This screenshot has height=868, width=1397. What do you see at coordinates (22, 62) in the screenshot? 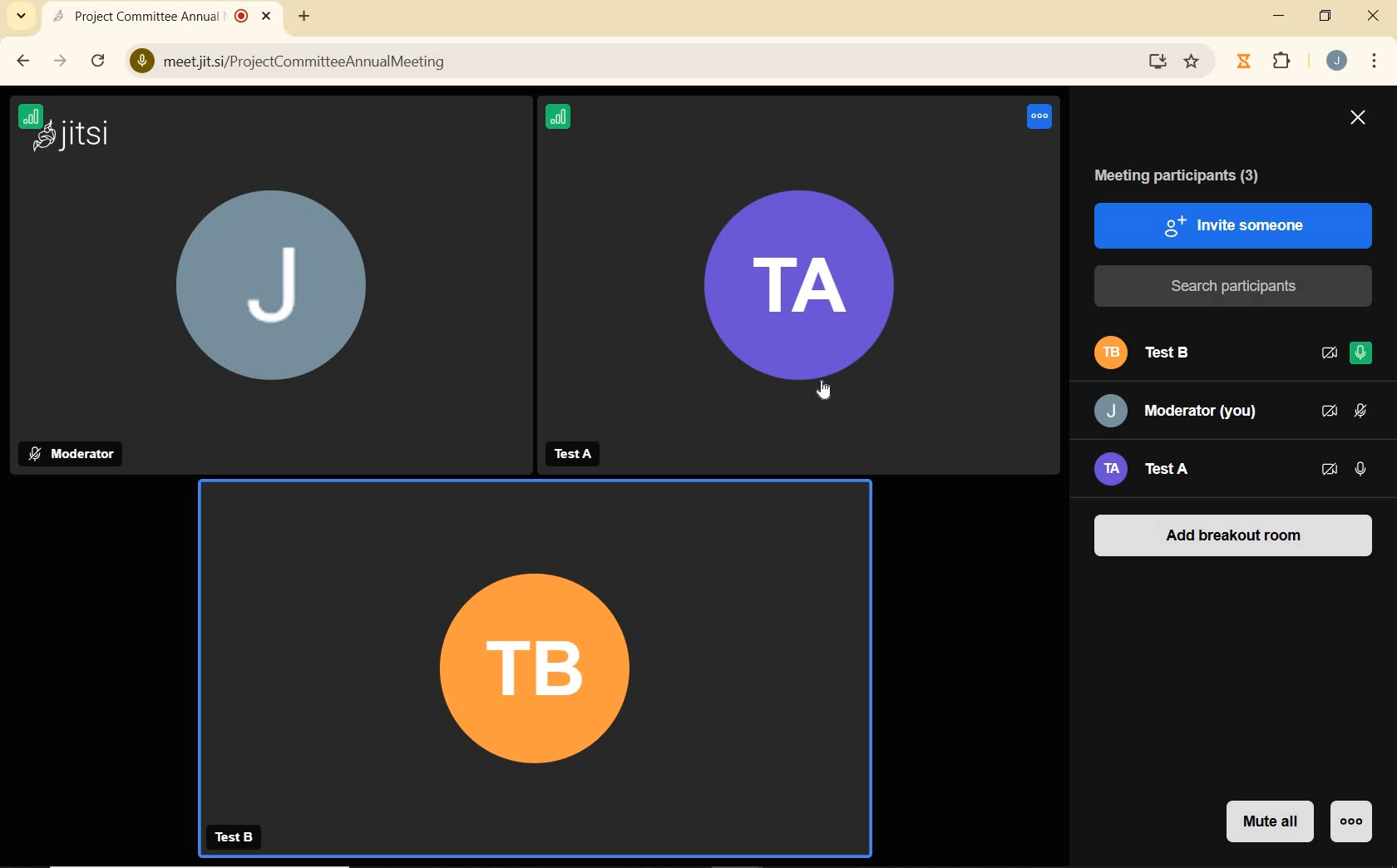
I see `BACK` at bounding box center [22, 62].